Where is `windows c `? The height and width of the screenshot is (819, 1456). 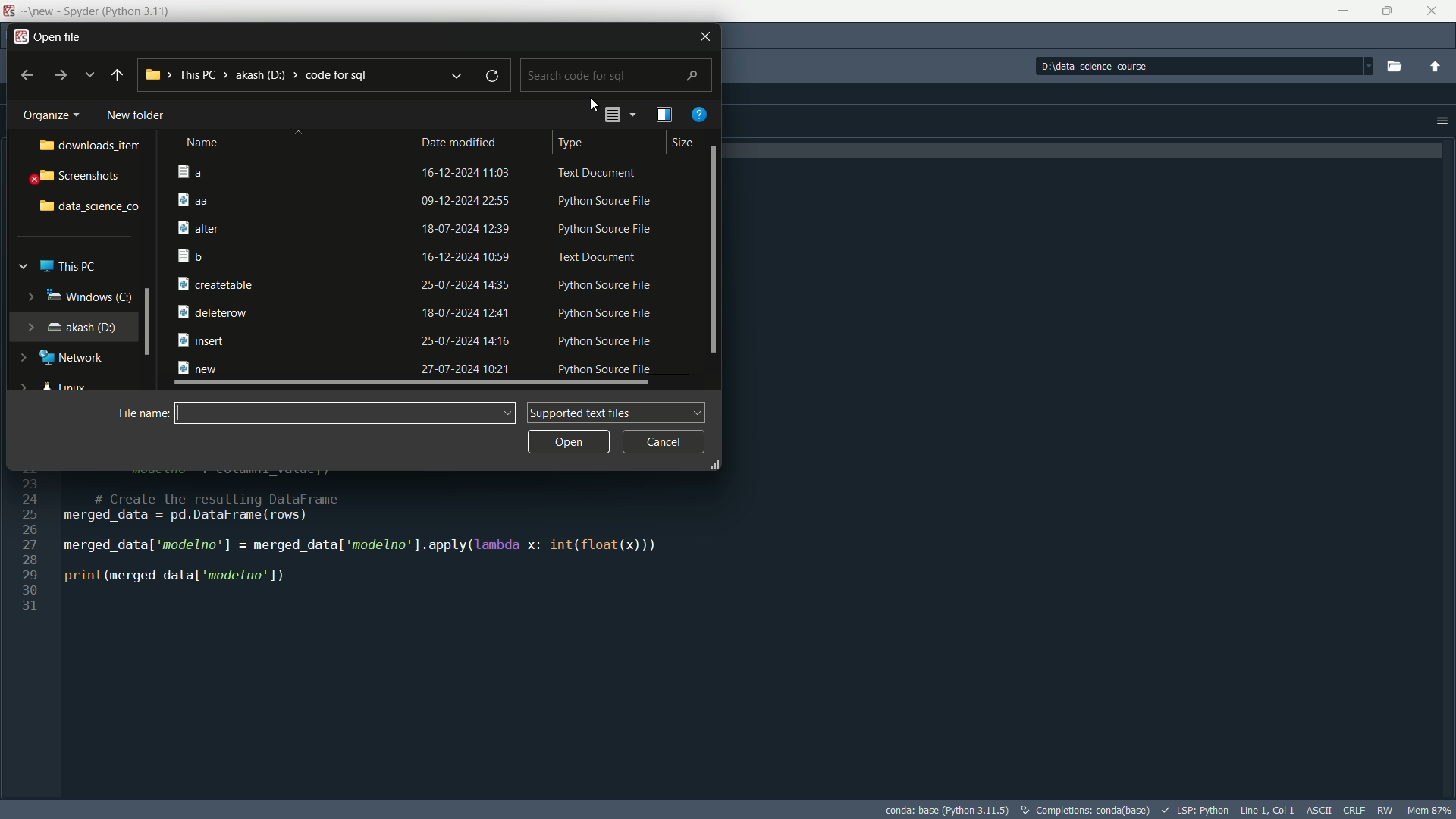 windows c  is located at coordinates (85, 296).